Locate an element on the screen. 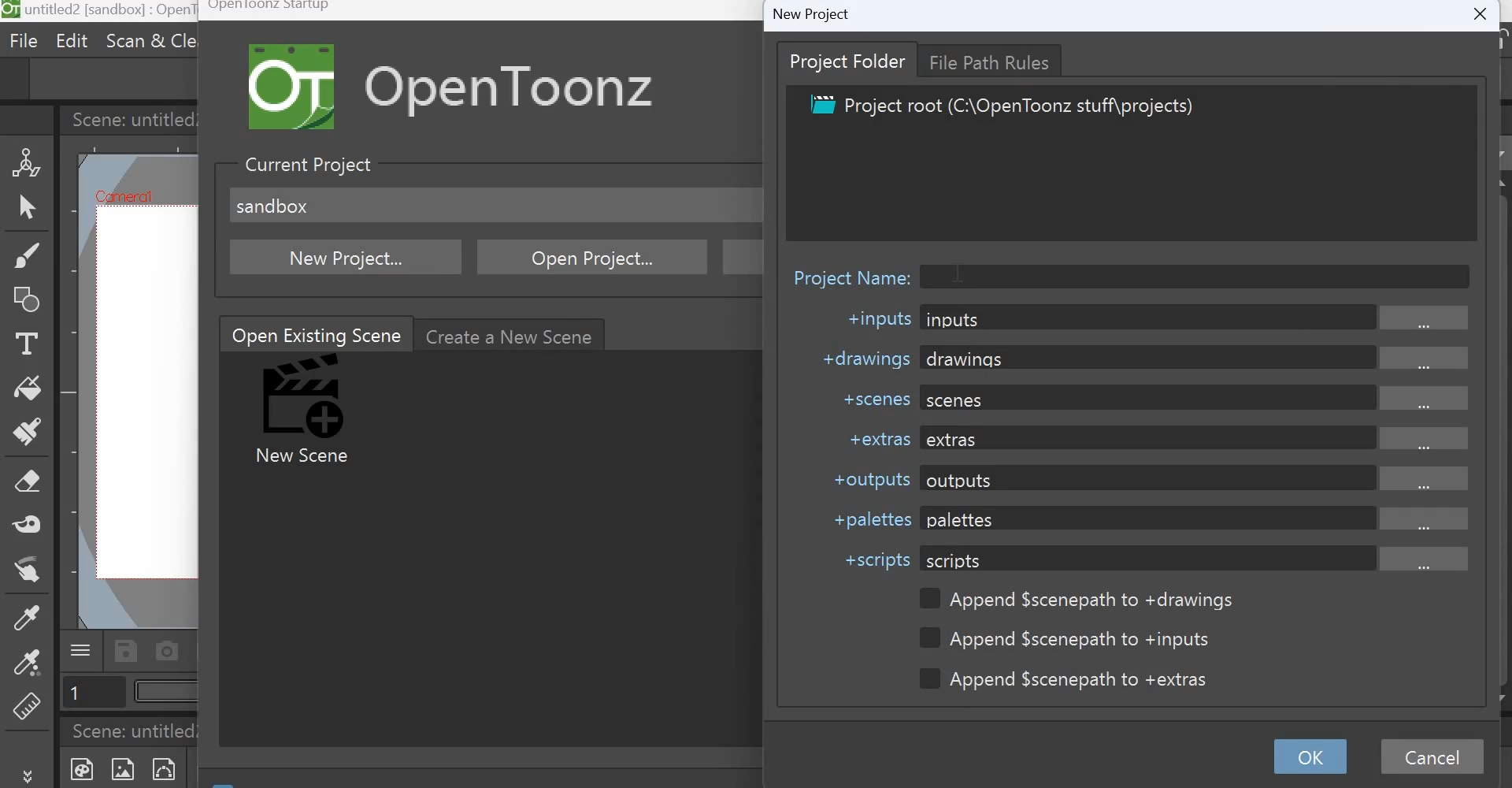  Tape tool is located at coordinates (31, 523).